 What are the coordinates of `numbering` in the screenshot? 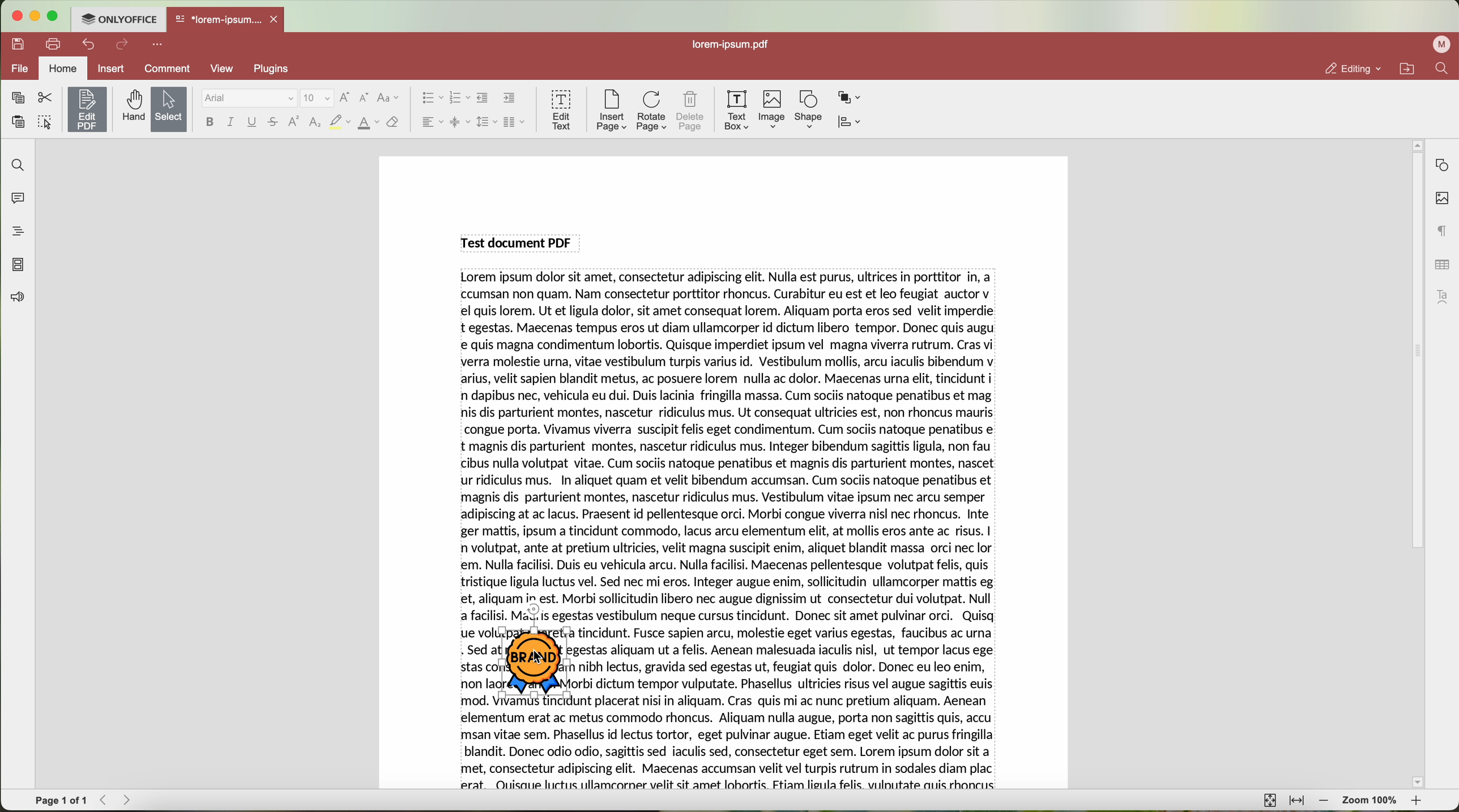 It's located at (459, 99).